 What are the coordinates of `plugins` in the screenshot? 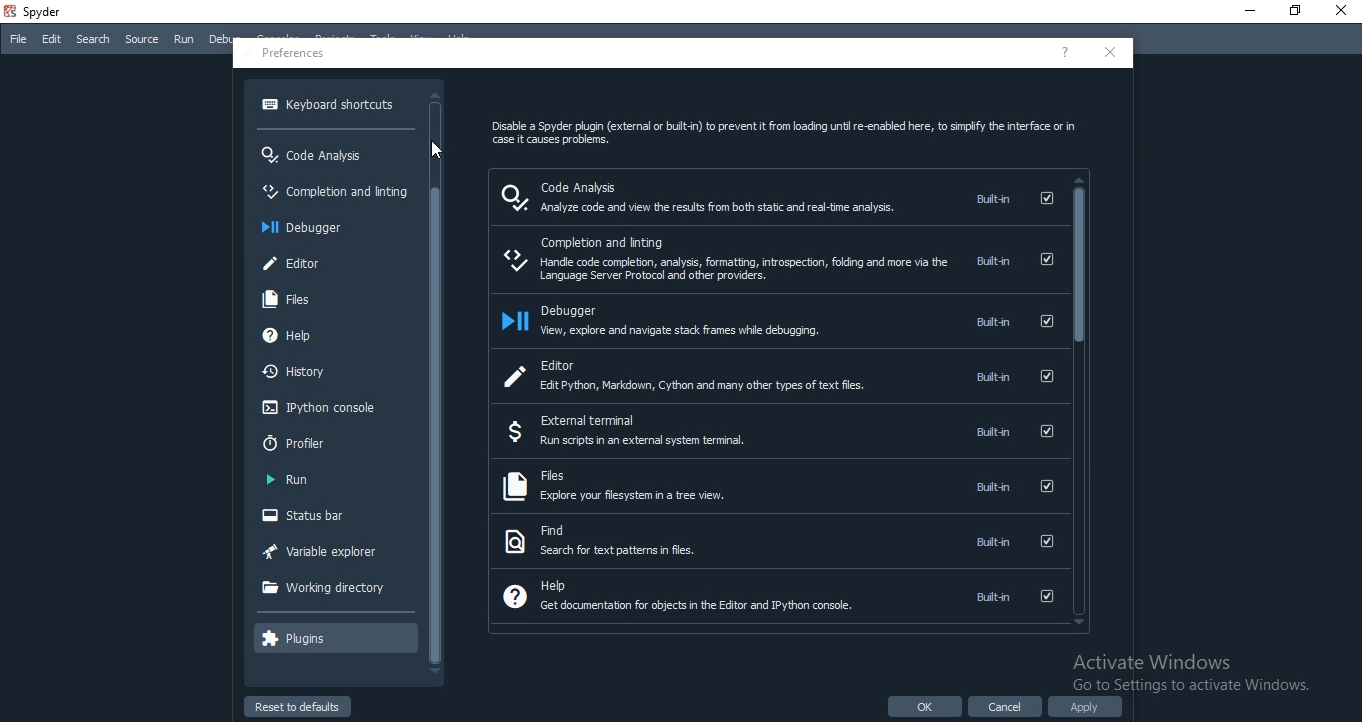 It's located at (331, 637).